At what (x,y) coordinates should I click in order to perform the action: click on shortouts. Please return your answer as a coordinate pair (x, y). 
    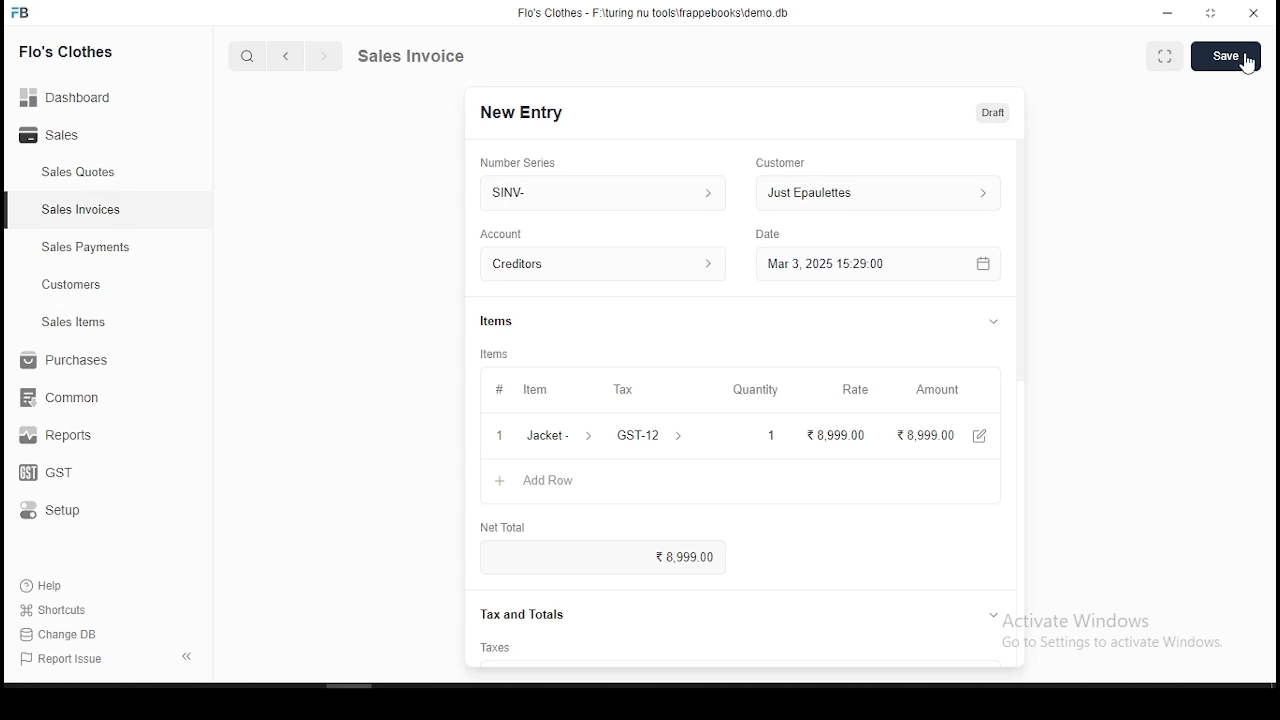
    Looking at the image, I should click on (54, 610).